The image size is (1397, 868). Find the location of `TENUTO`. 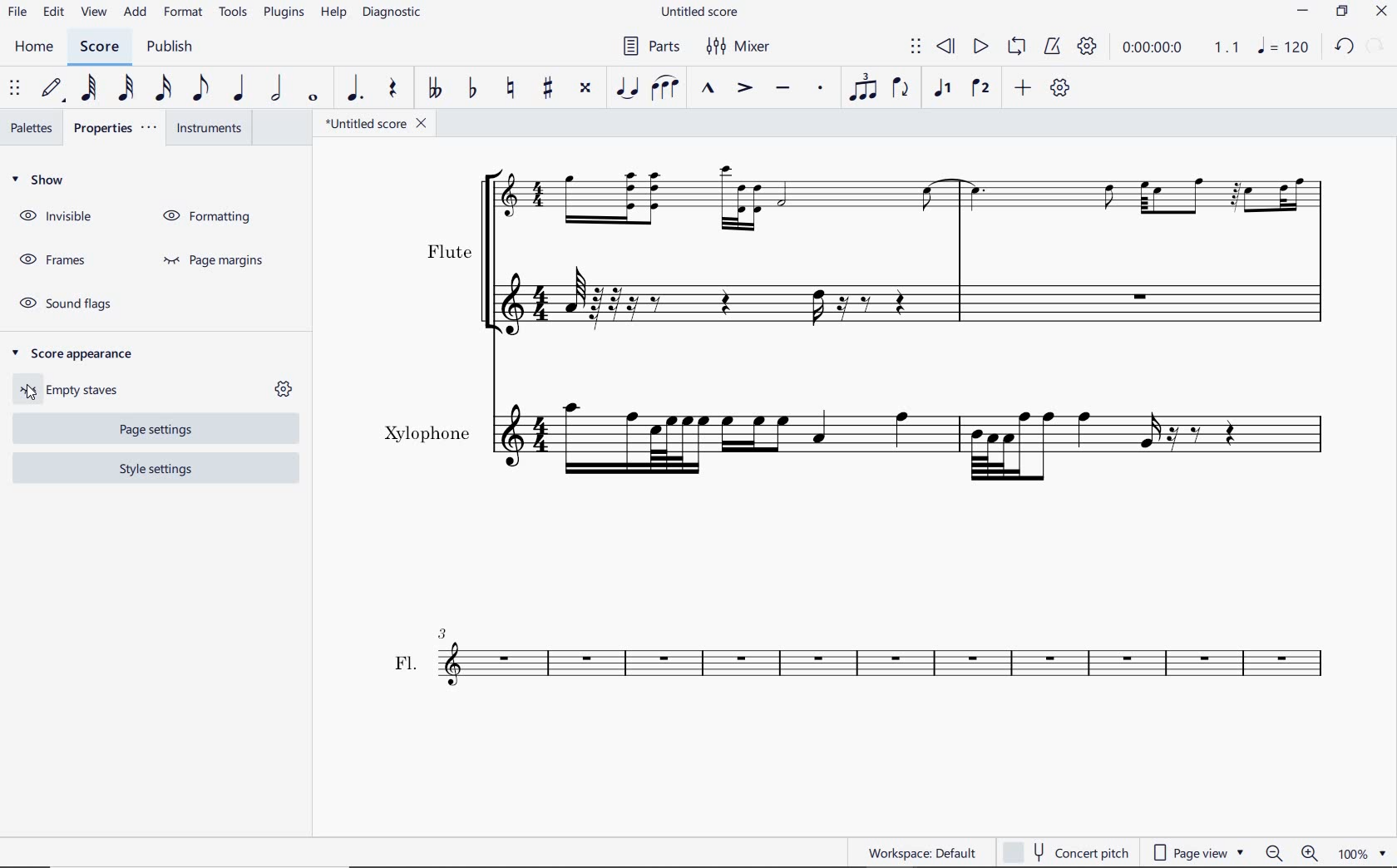

TENUTO is located at coordinates (782, 88).